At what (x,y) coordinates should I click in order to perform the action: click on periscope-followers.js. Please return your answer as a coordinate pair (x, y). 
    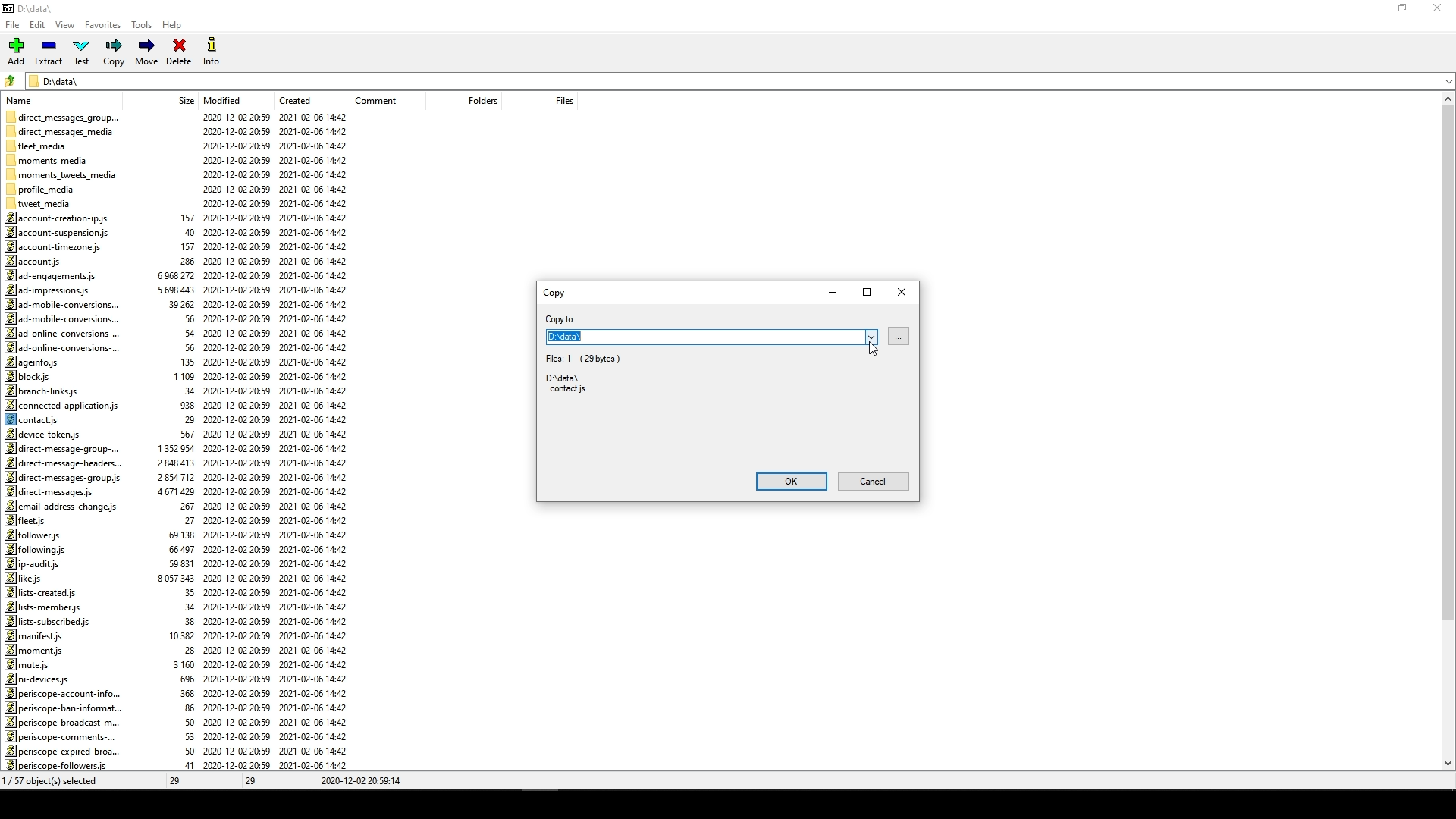
    Looking at the image, I should click on (58, 765).